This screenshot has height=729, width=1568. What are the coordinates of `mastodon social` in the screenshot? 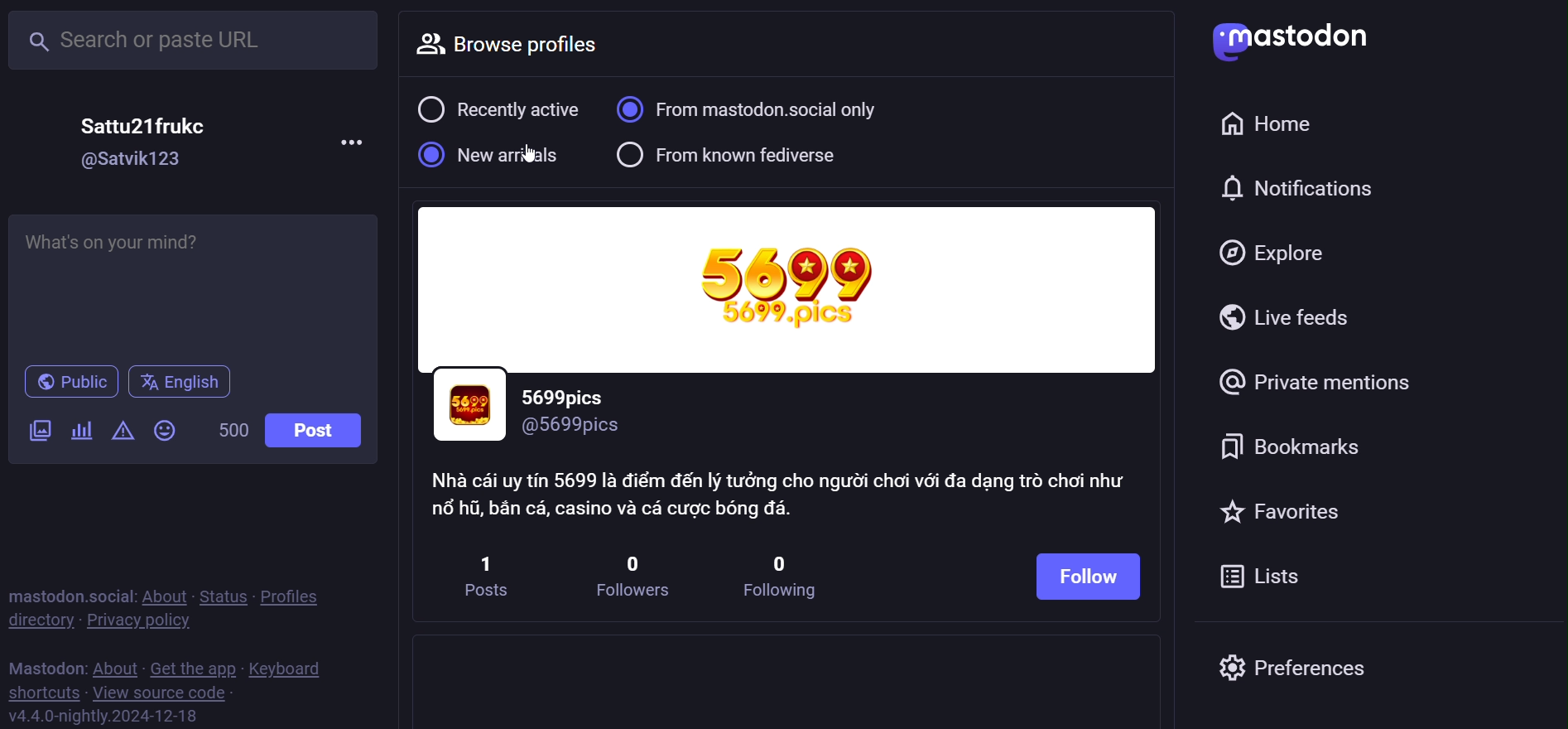 It's located at (65, 595).